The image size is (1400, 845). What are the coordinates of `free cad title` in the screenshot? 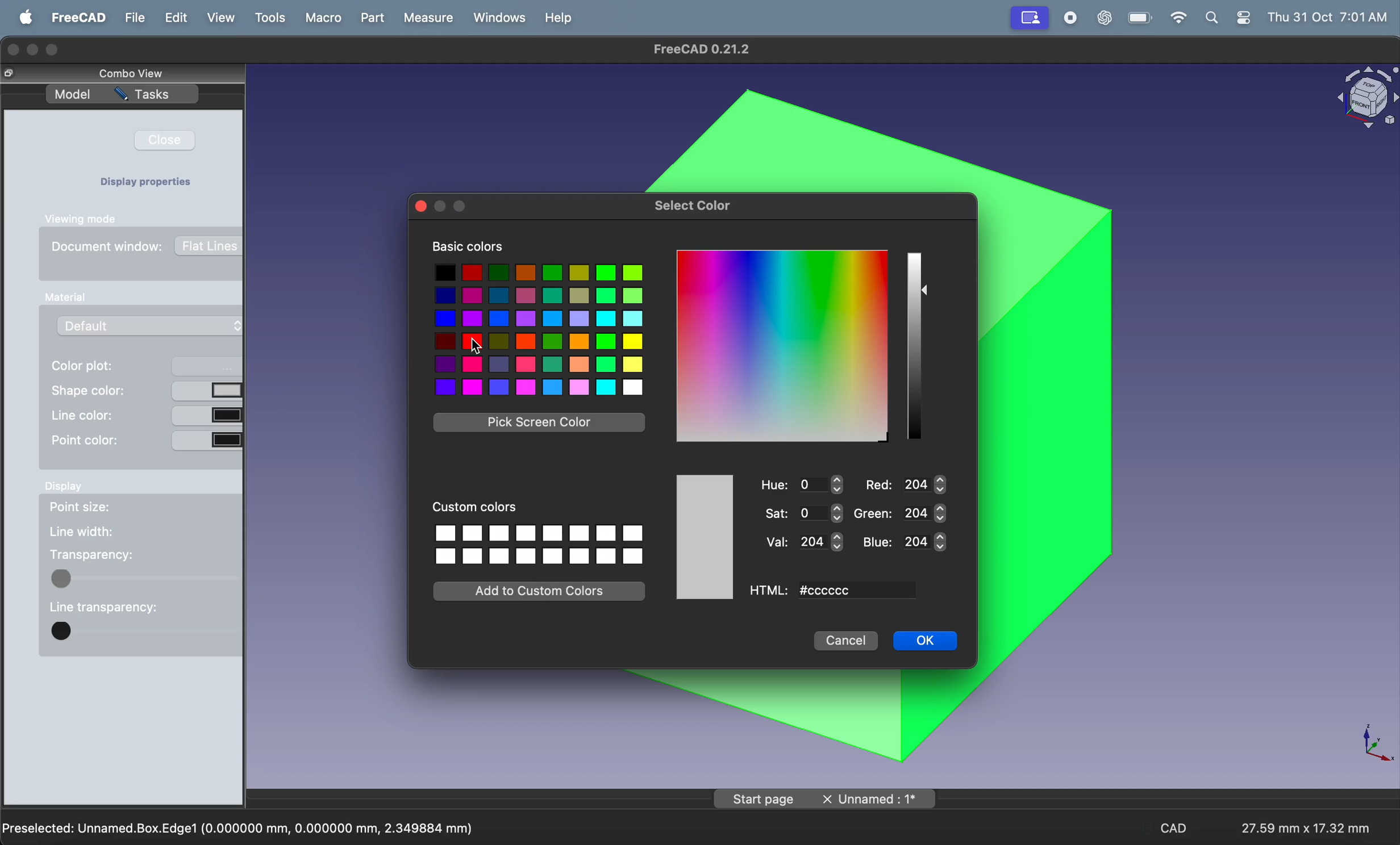 It's located at (706, 49).